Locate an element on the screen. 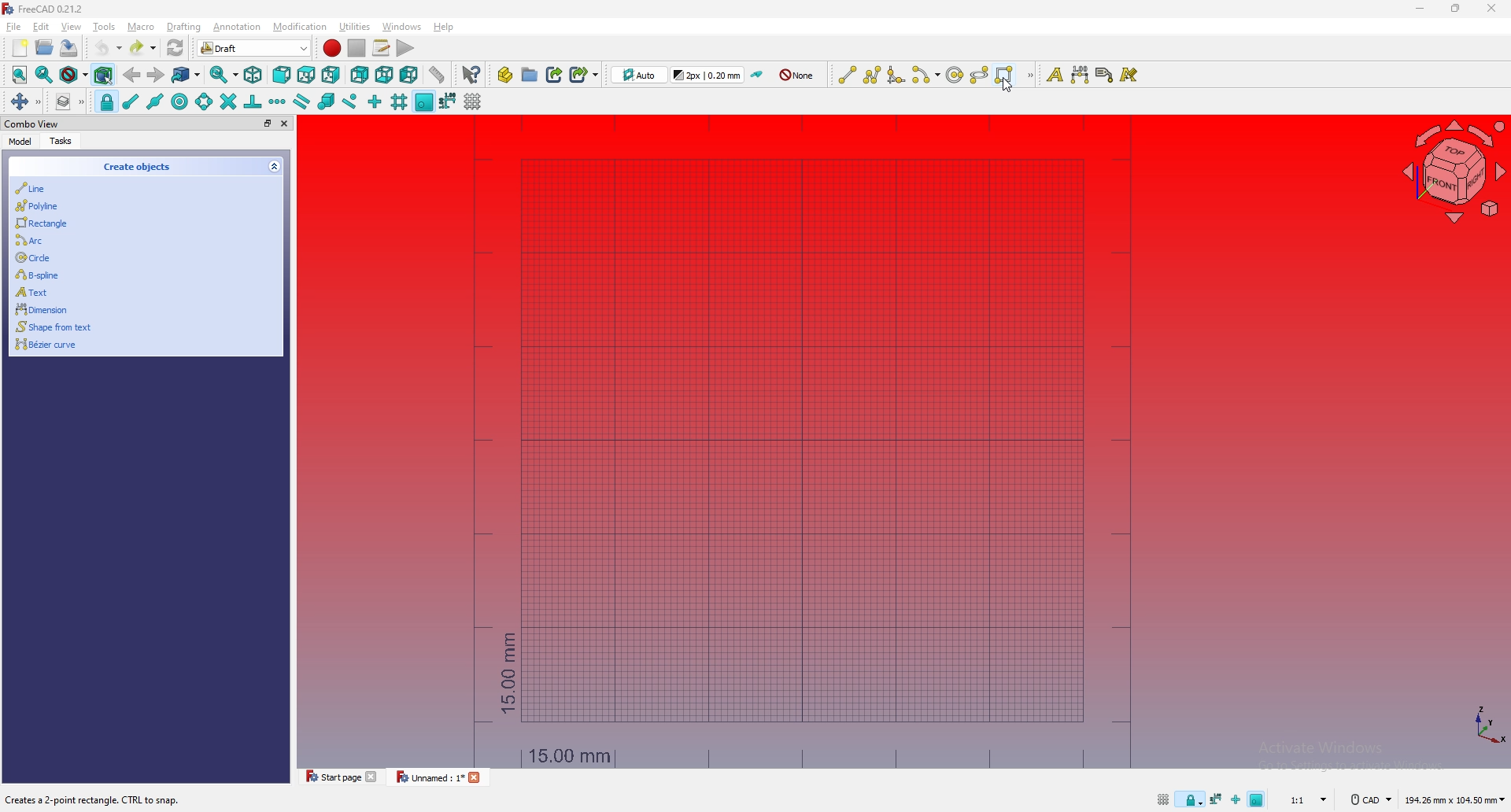 Image resolution: width=1511 pixels, height=812 pixels. snap extension is located at coordinates (278, 101).